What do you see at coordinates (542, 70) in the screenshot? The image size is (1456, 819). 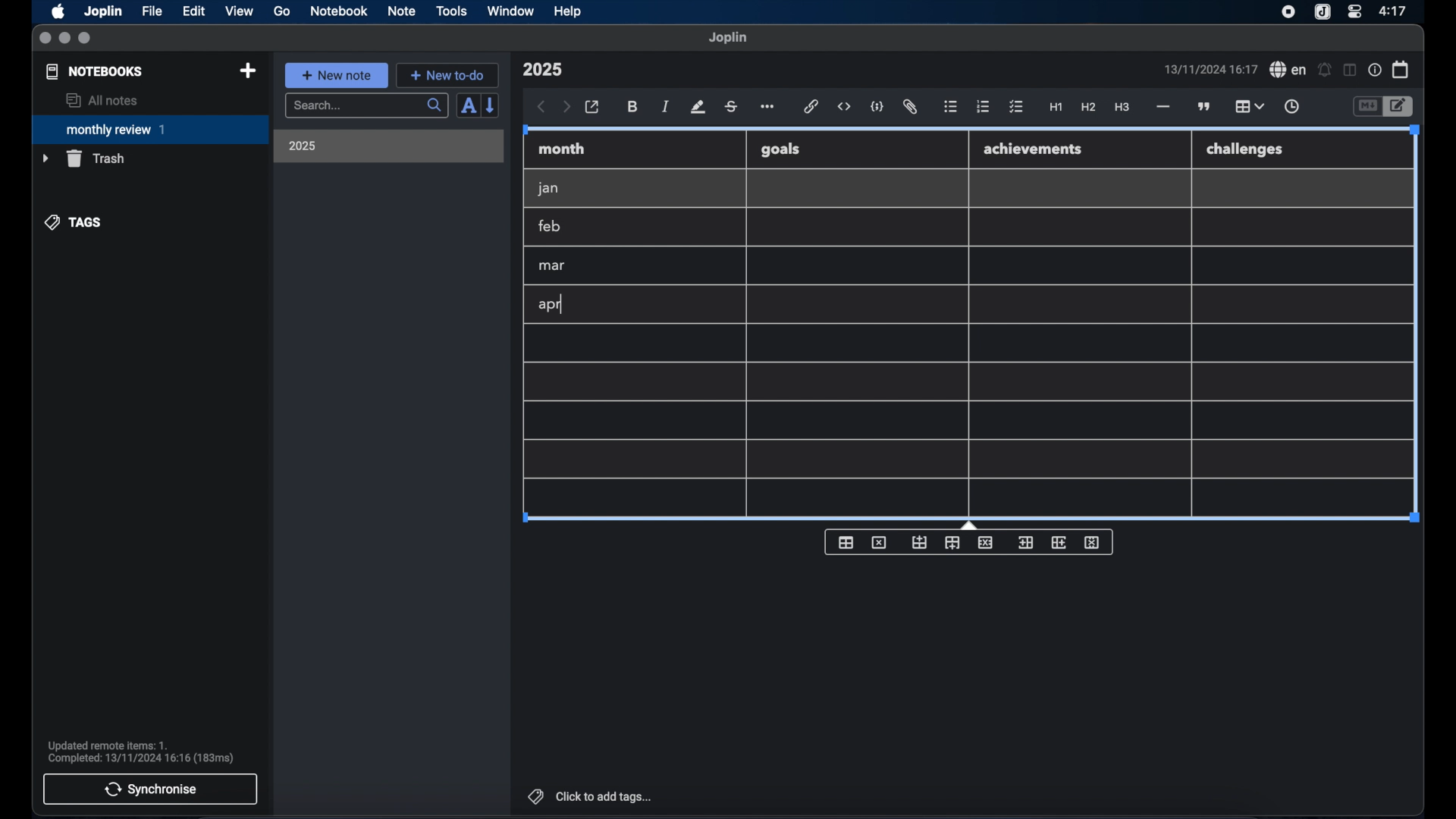 I see `note title` at bounding box center [542, 70].